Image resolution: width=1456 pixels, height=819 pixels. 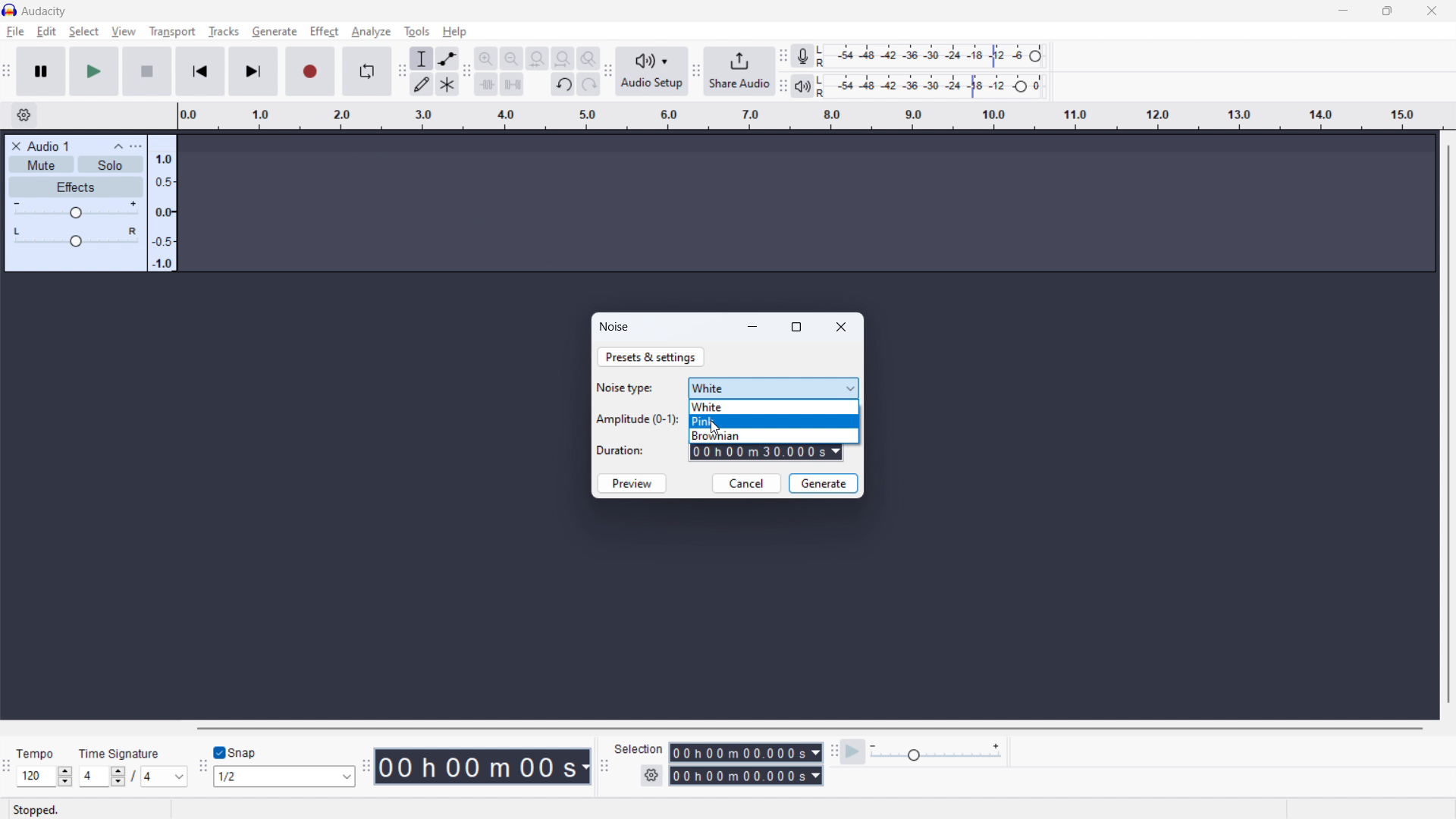 What do you see at coordinates (109, 165) in the screenshot?
I see `solo` at bounding box center [109, 165].